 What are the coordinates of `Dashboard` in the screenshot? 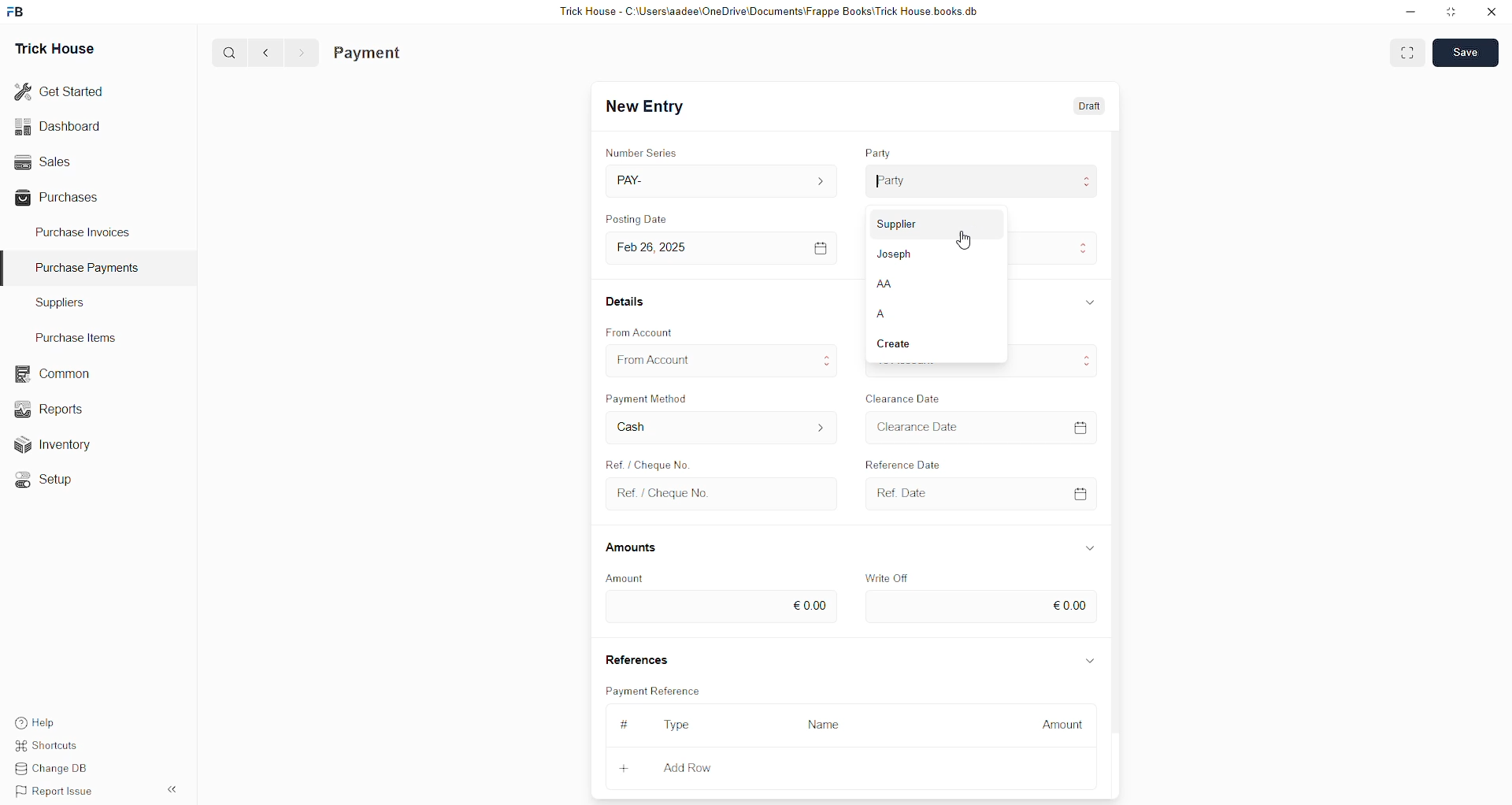 It's located at (61, 126).